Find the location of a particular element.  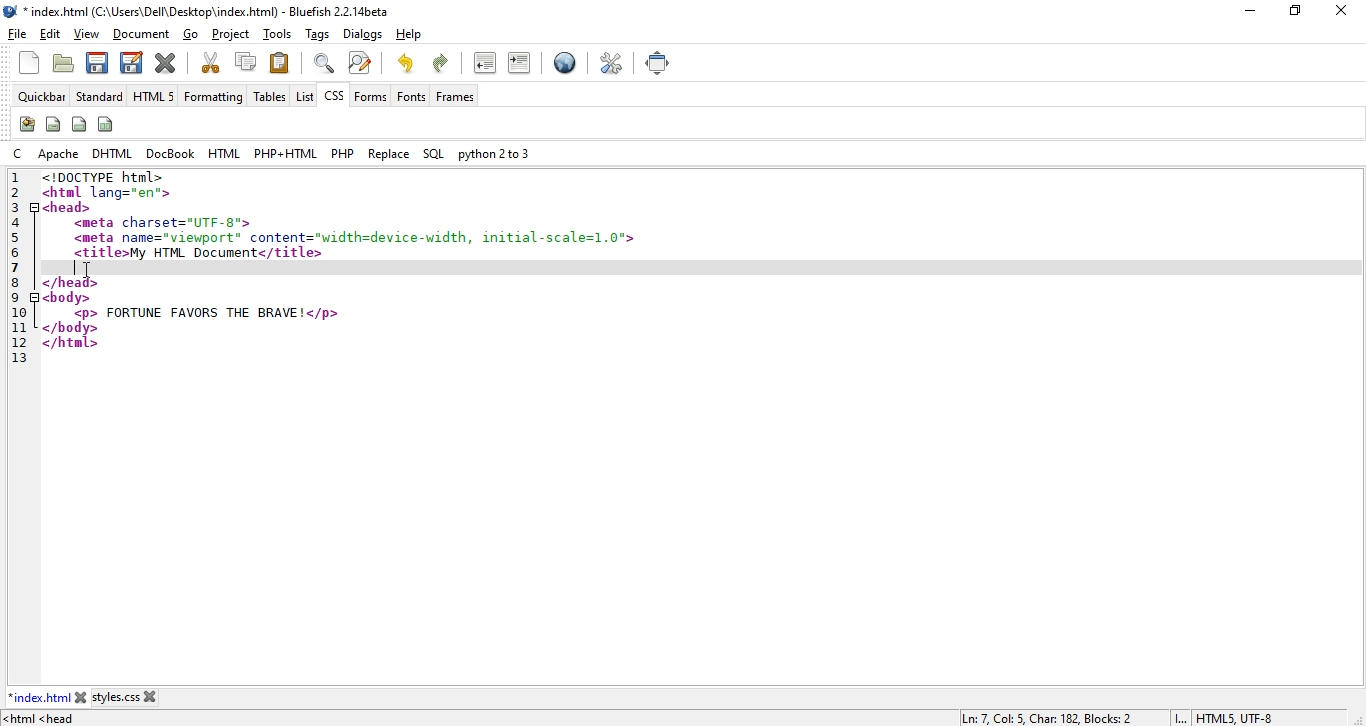

advanced find and replace is located at coordinates (359, 62).